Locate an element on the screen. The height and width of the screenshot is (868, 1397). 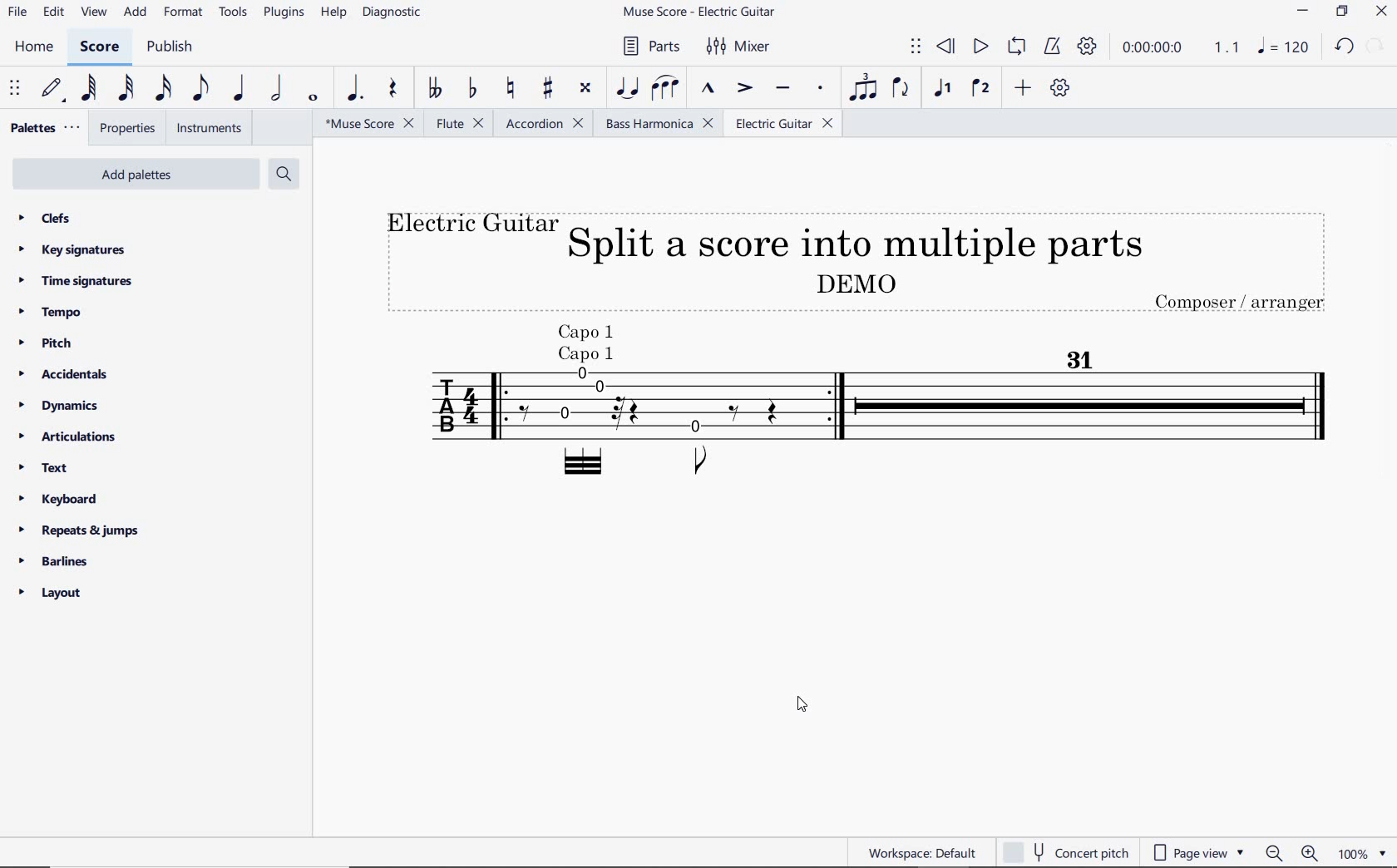
zoom factor is located at coordinates (1360, 852).